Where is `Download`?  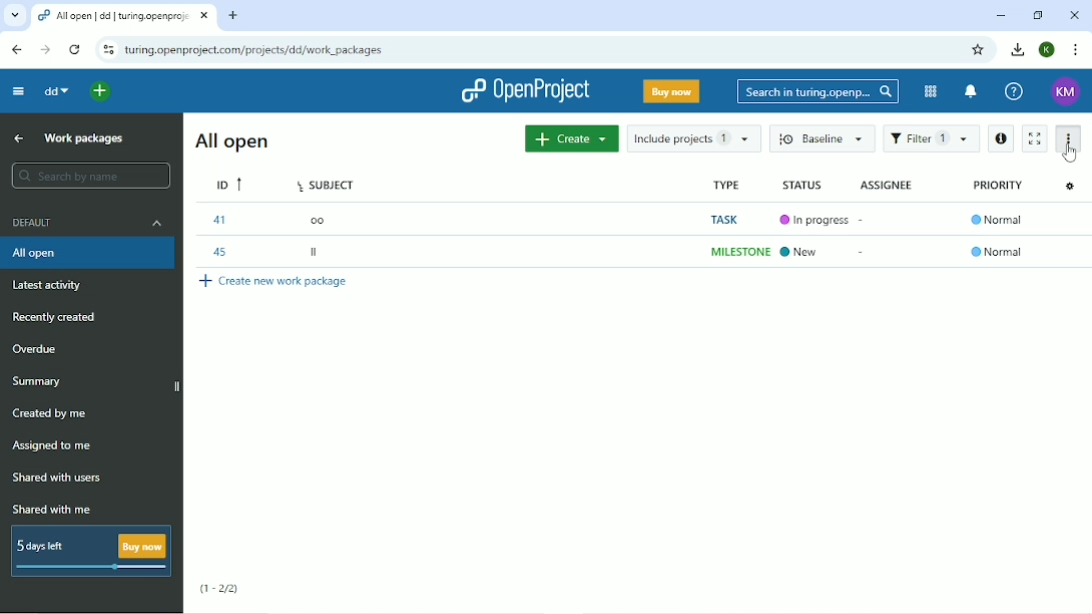
Download is located at coordinates (1016, 49).